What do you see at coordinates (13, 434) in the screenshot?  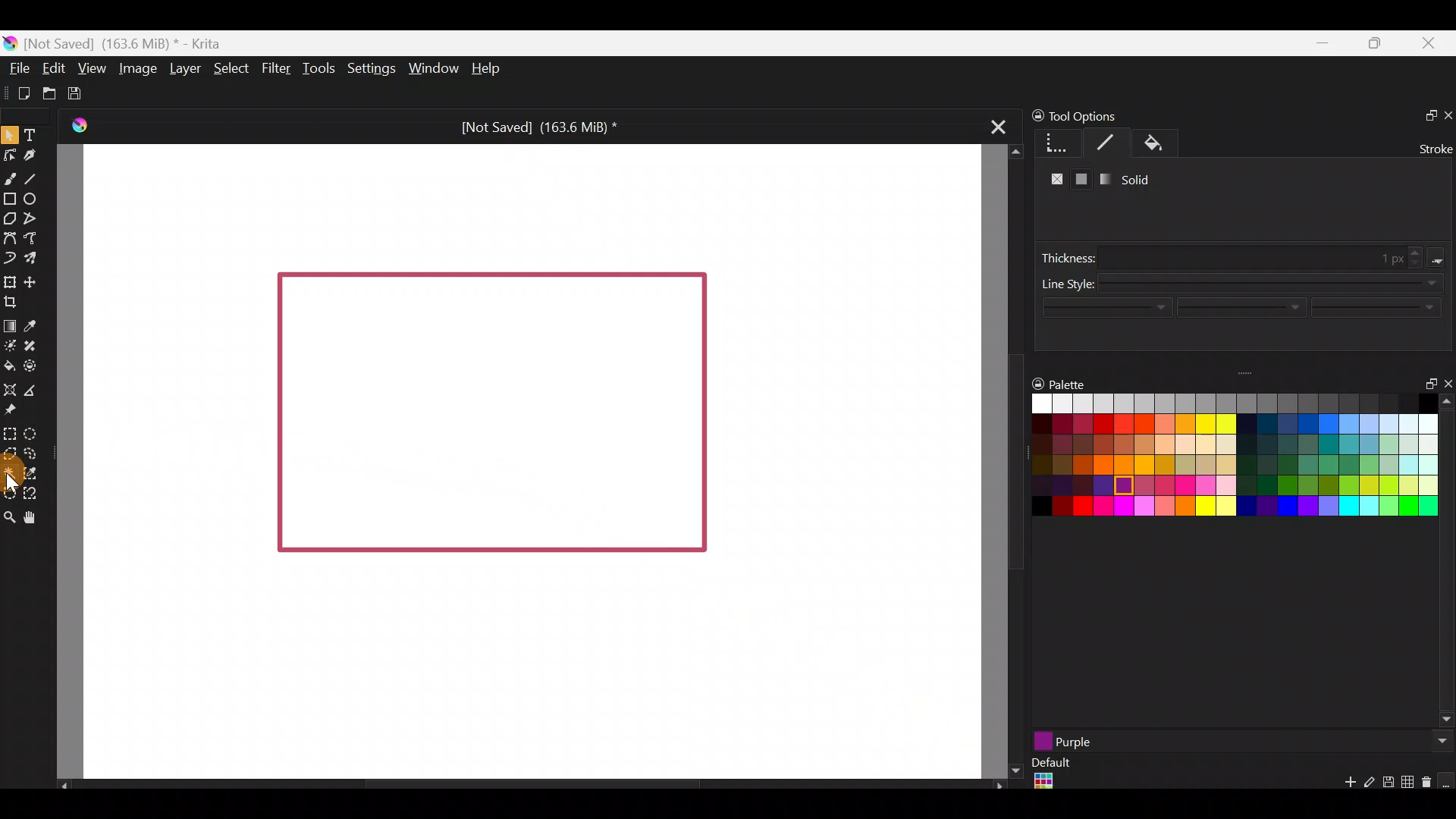 I see `Rectangular selection tool` at bounding box center [13, 434].